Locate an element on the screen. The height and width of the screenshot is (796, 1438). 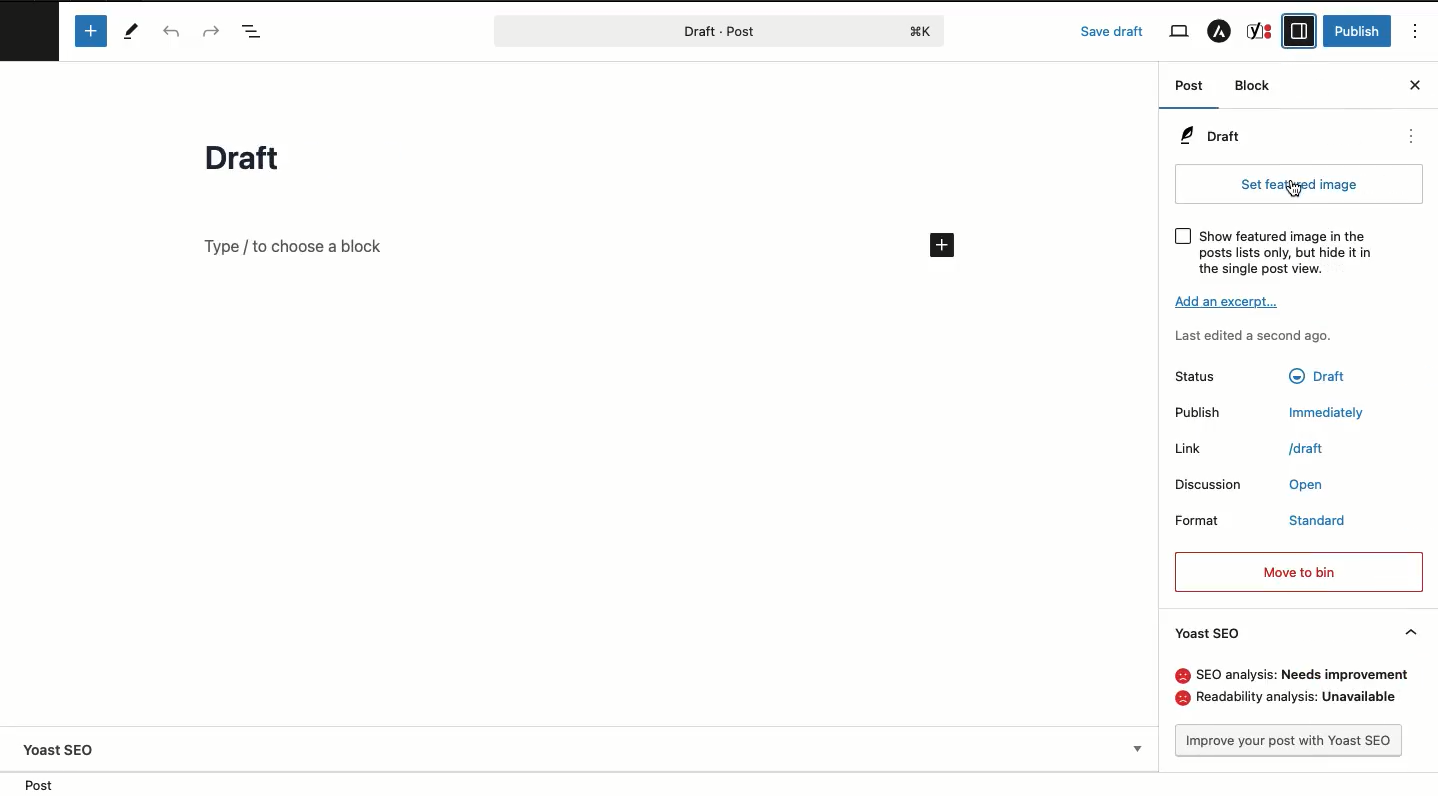
Post is located at coordinates (1188, 89).